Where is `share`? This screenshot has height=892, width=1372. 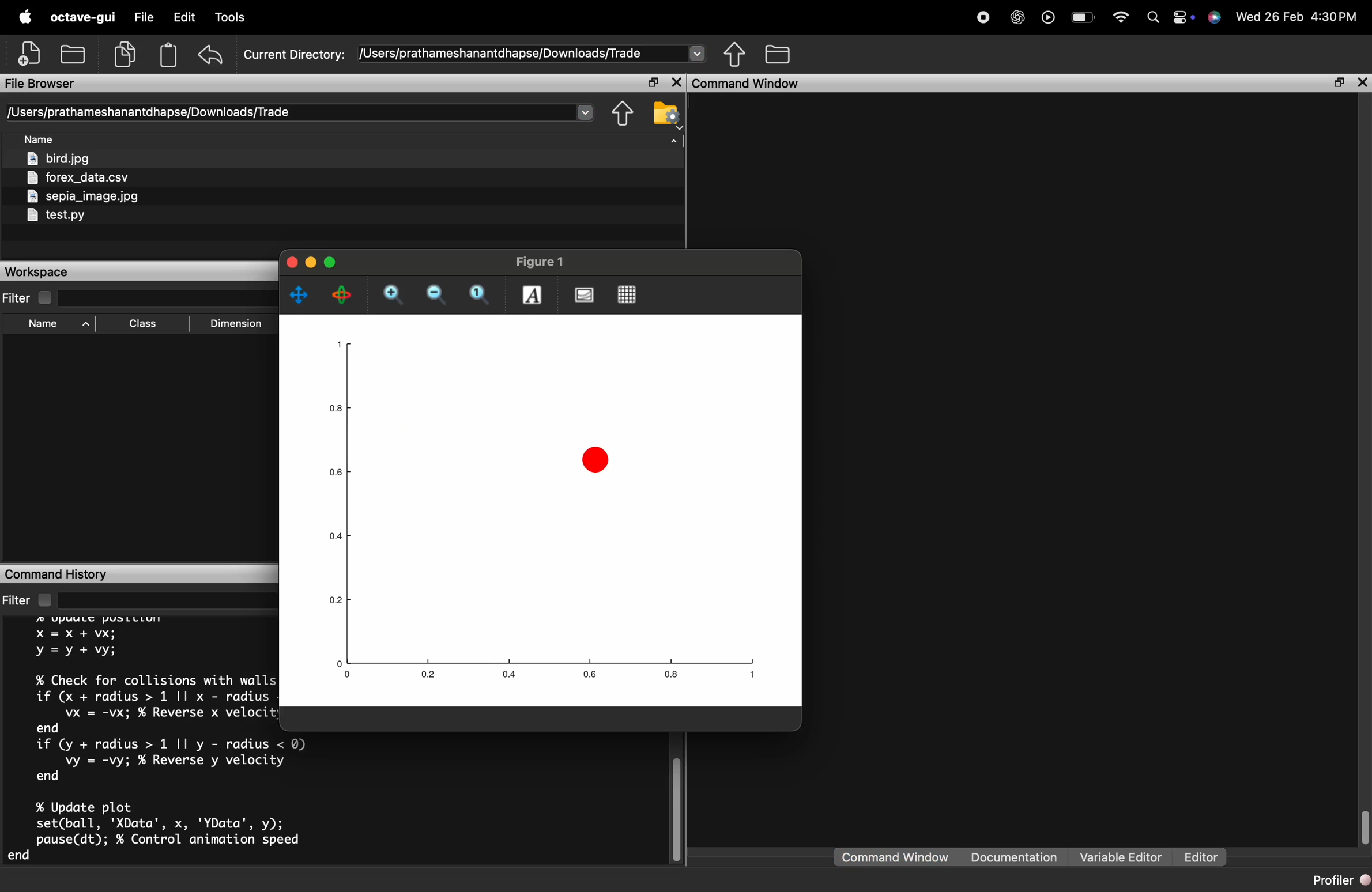 share is located at coordinates (623, 114).